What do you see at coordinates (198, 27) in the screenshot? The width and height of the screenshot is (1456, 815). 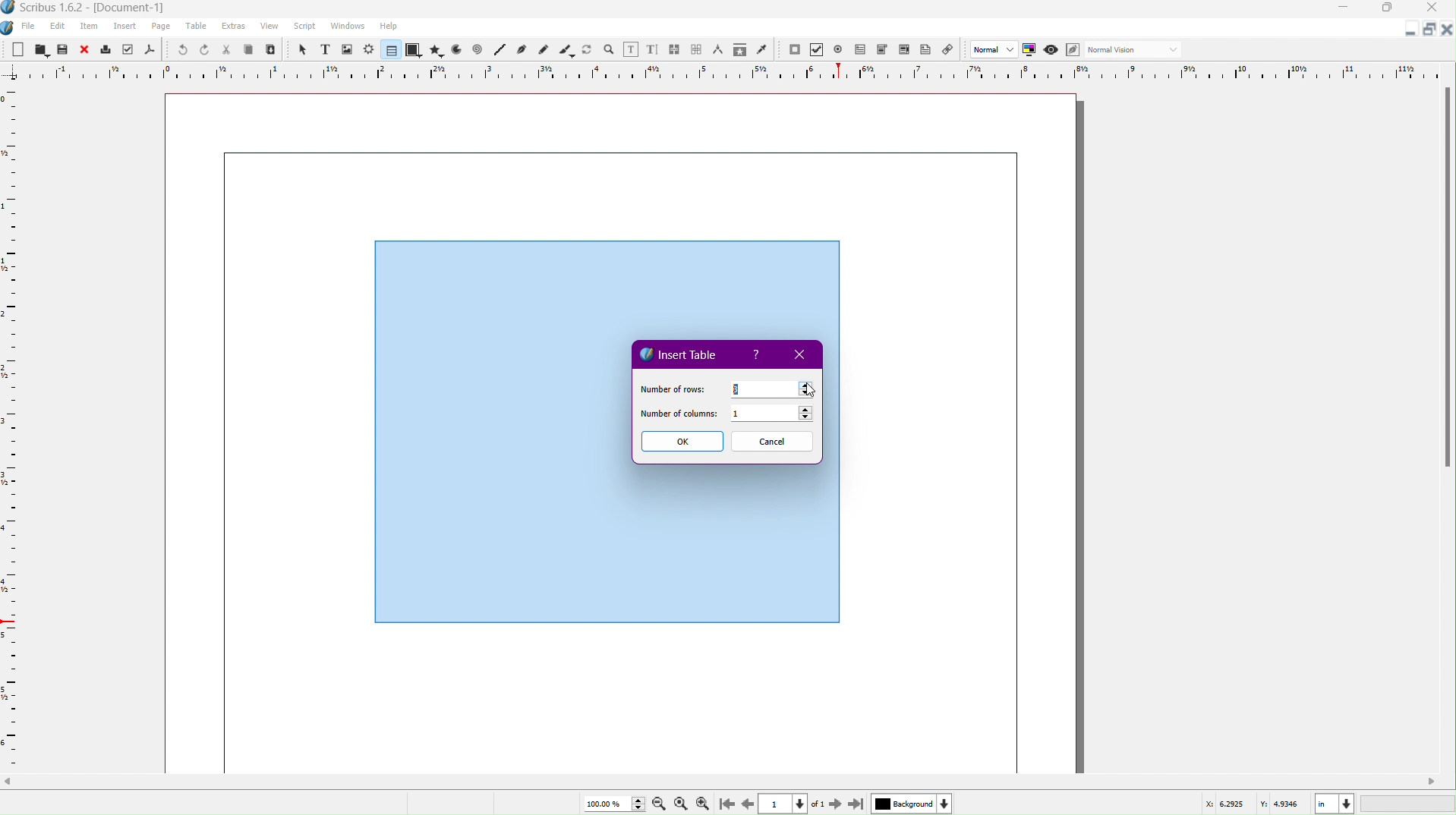 I see `Table` at bounding box center [198, 27].